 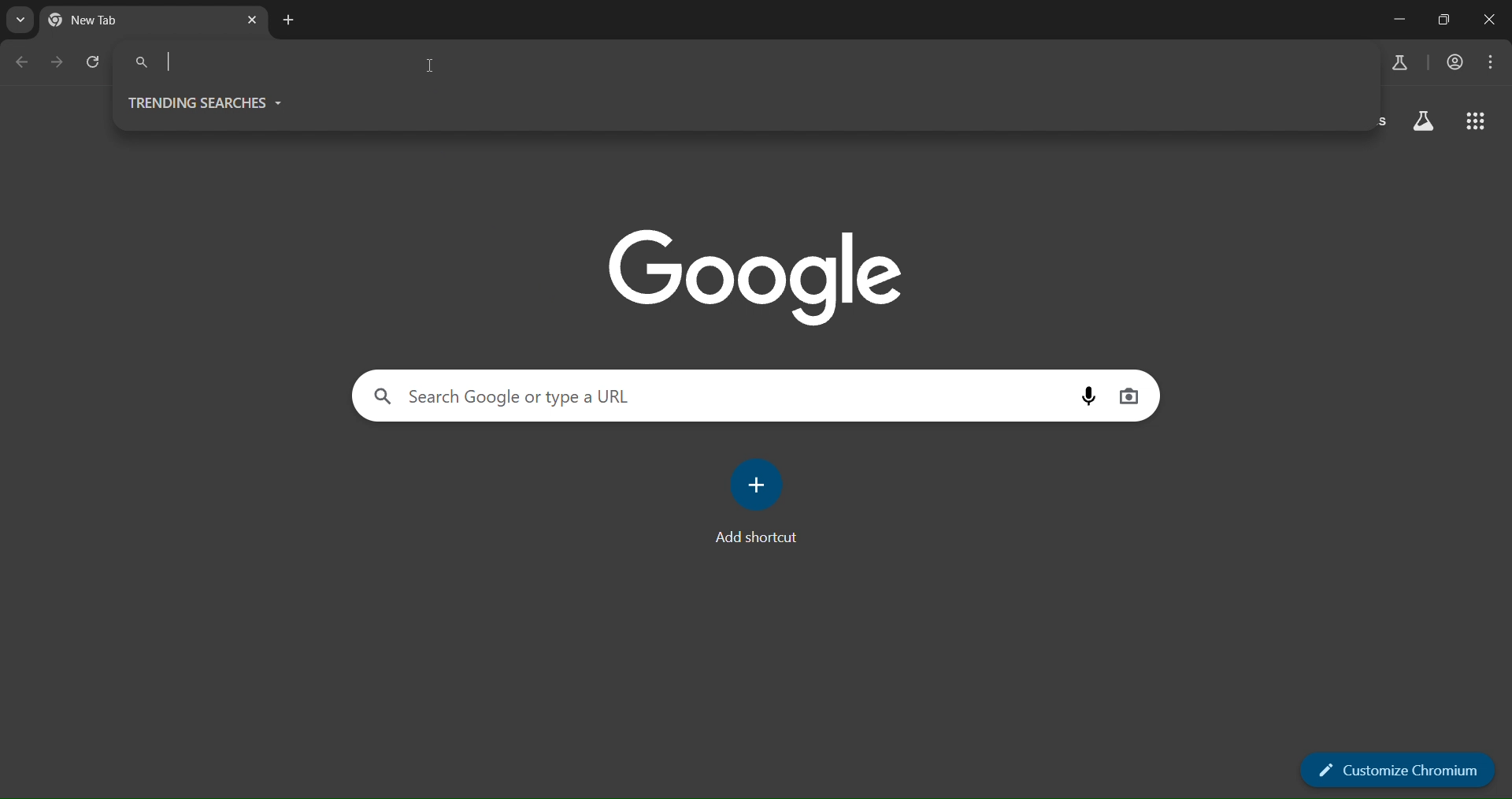 I want to click on new tab, so click(x=287, y=20).